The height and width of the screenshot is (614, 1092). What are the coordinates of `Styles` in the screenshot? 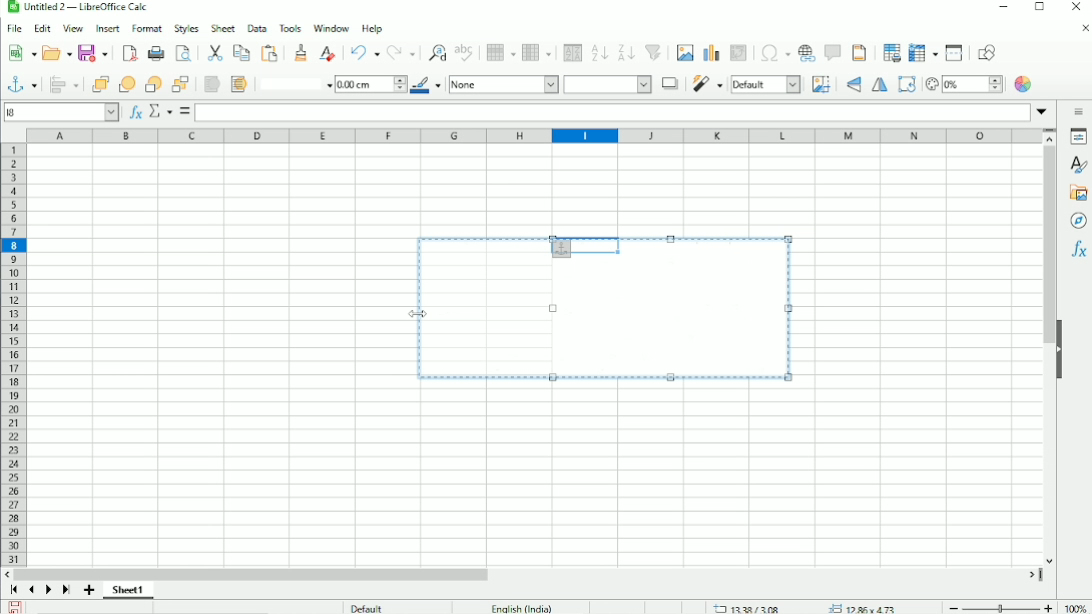 It's located at (187, 28).